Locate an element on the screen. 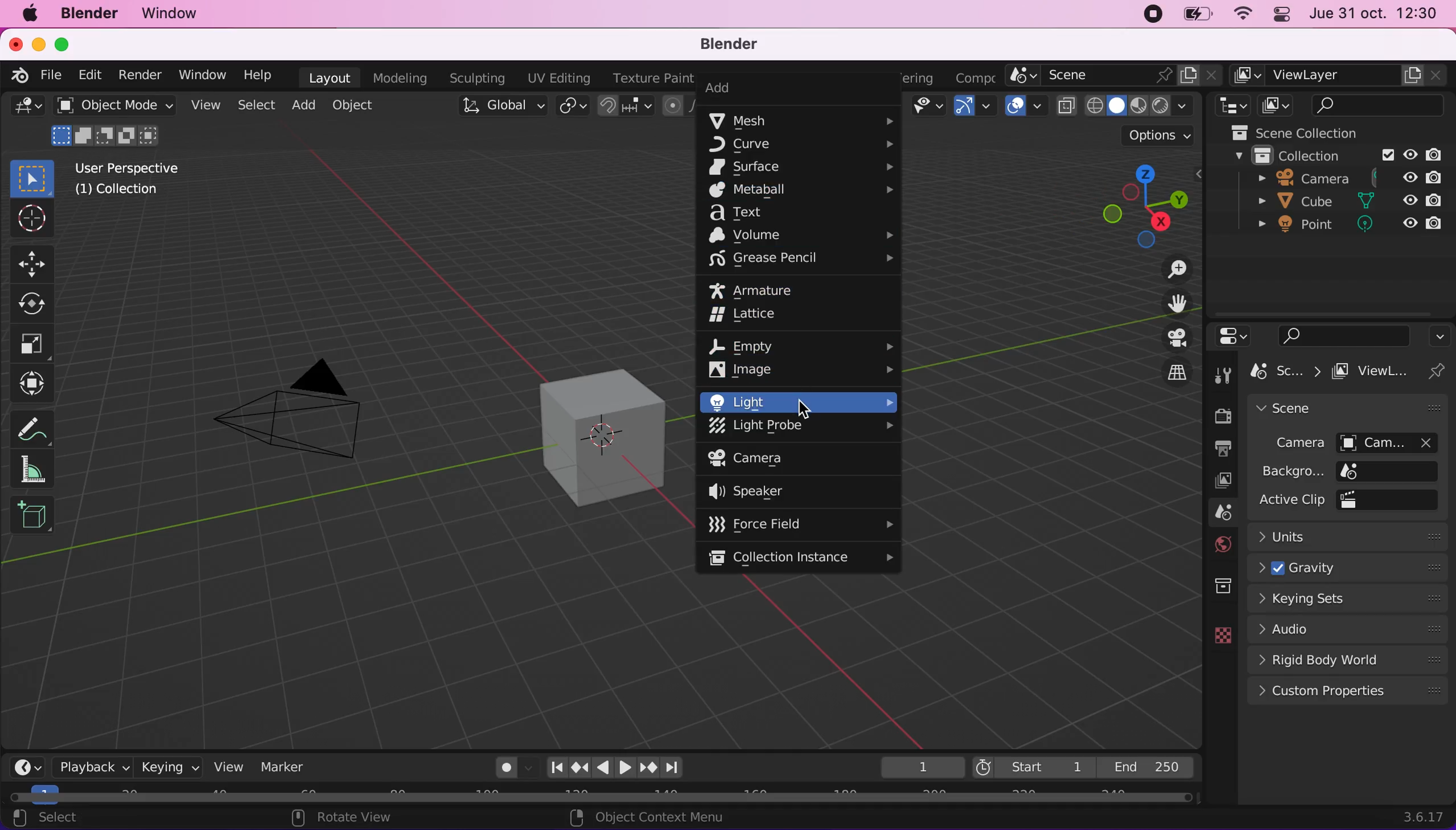 This screenshot has width=1456, height=830. data is located at coordinates (1216, 634).